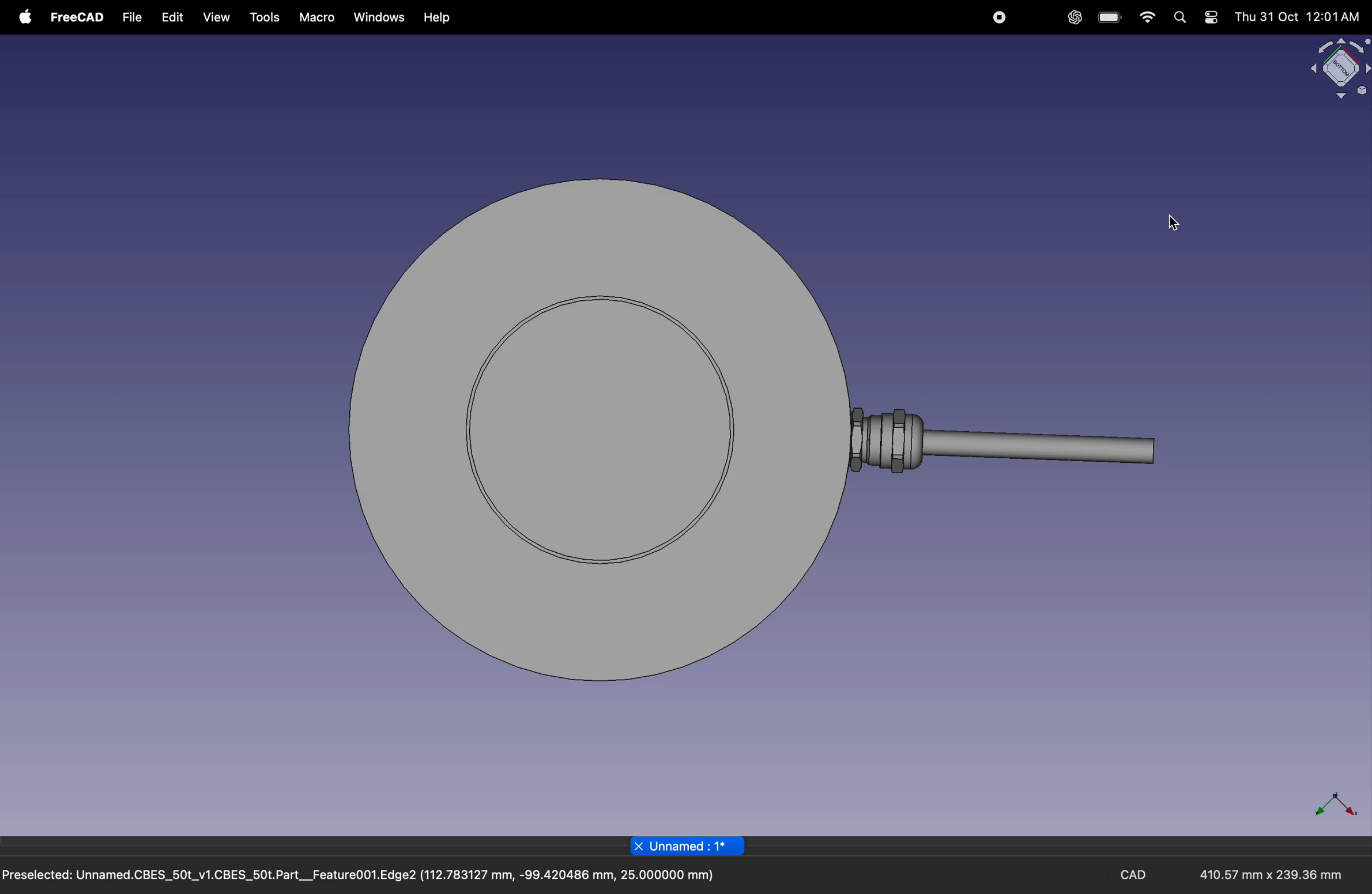 The height and width of the screenshot is (894, 1372). I want to click on tools, so click(263, 18).